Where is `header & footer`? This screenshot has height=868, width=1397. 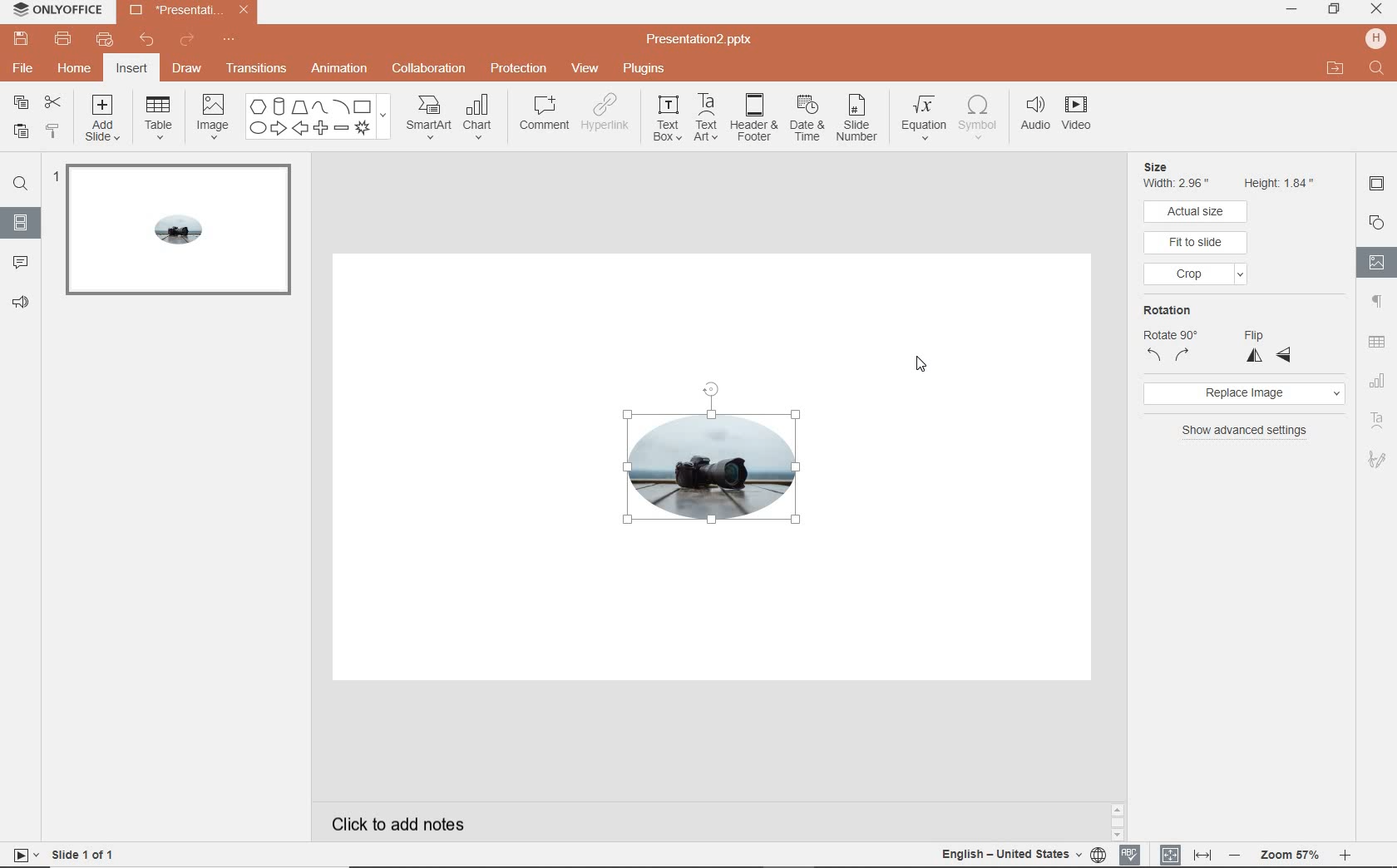 header & footer is located at coordinates (755, 122).